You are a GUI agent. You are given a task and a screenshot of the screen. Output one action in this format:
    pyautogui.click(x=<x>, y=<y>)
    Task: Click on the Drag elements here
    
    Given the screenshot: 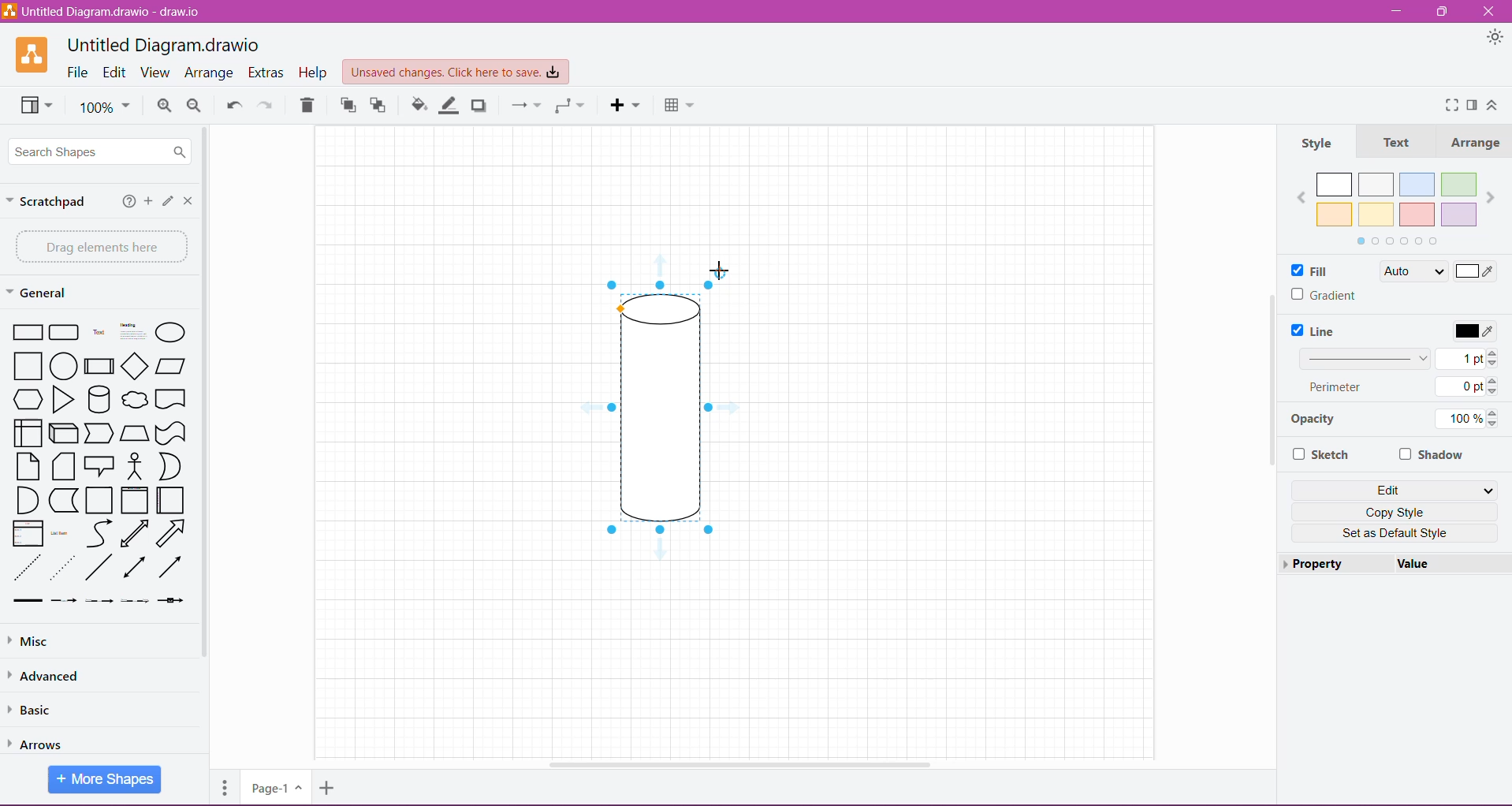 What is the action you would take?
    pyautogui.click(x=98, y=246)
    